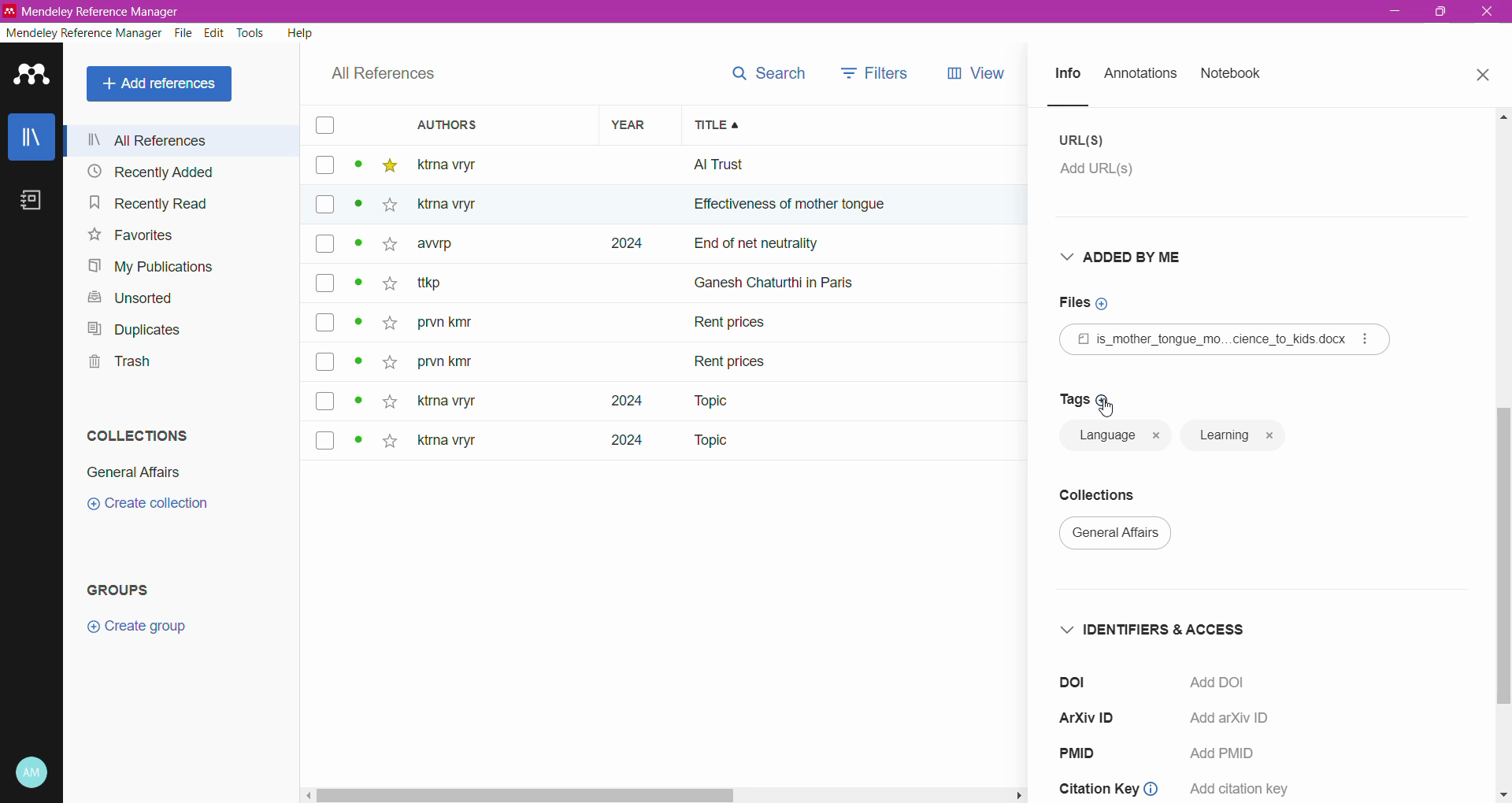 This screenshot has height=803, width=1512. What do you see at coordinates (386, 208) in the screenshot?
I see `star` at bounding box center [386, 208].